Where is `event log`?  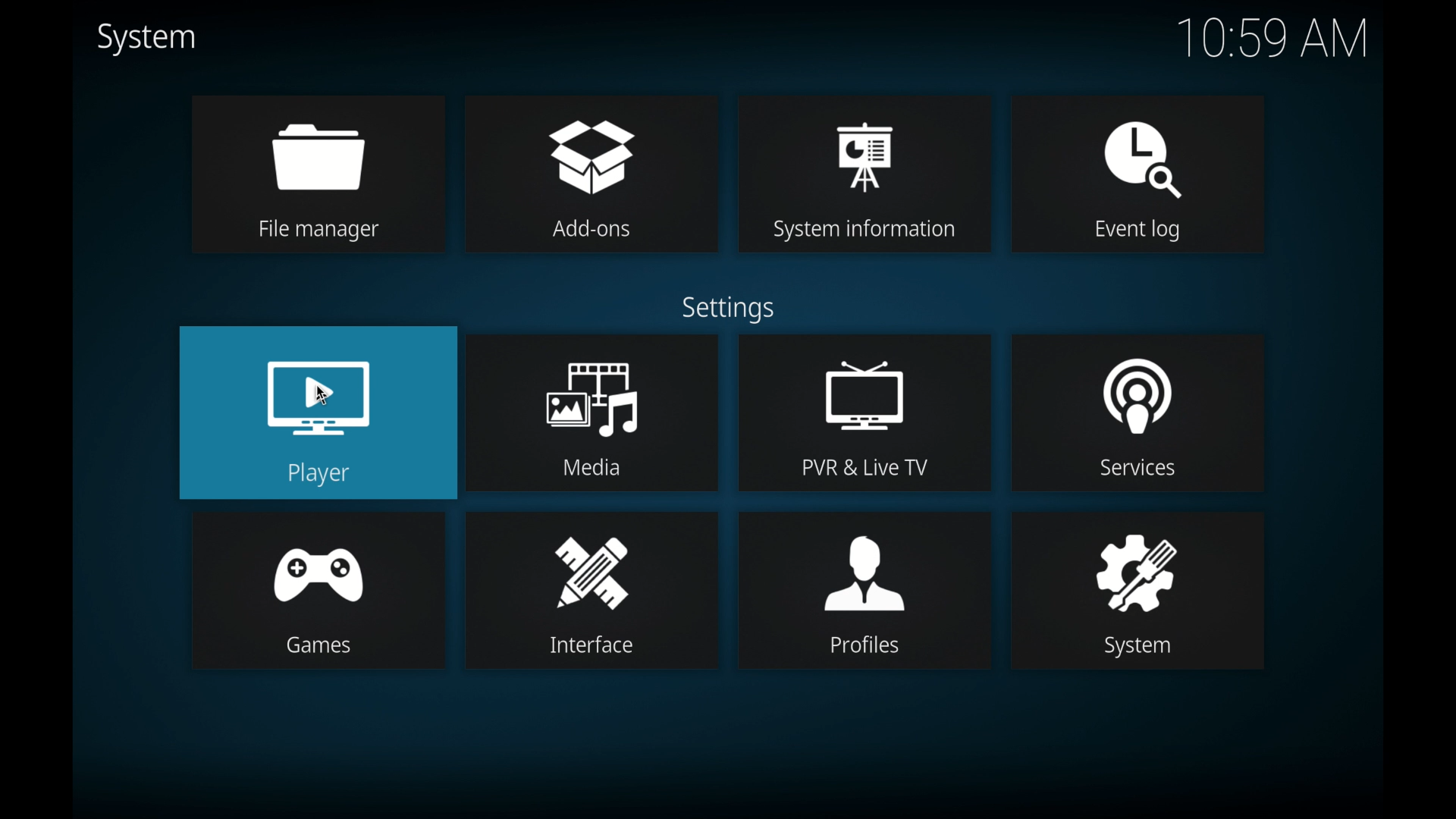
event log is located at coordinates (1138, 172).